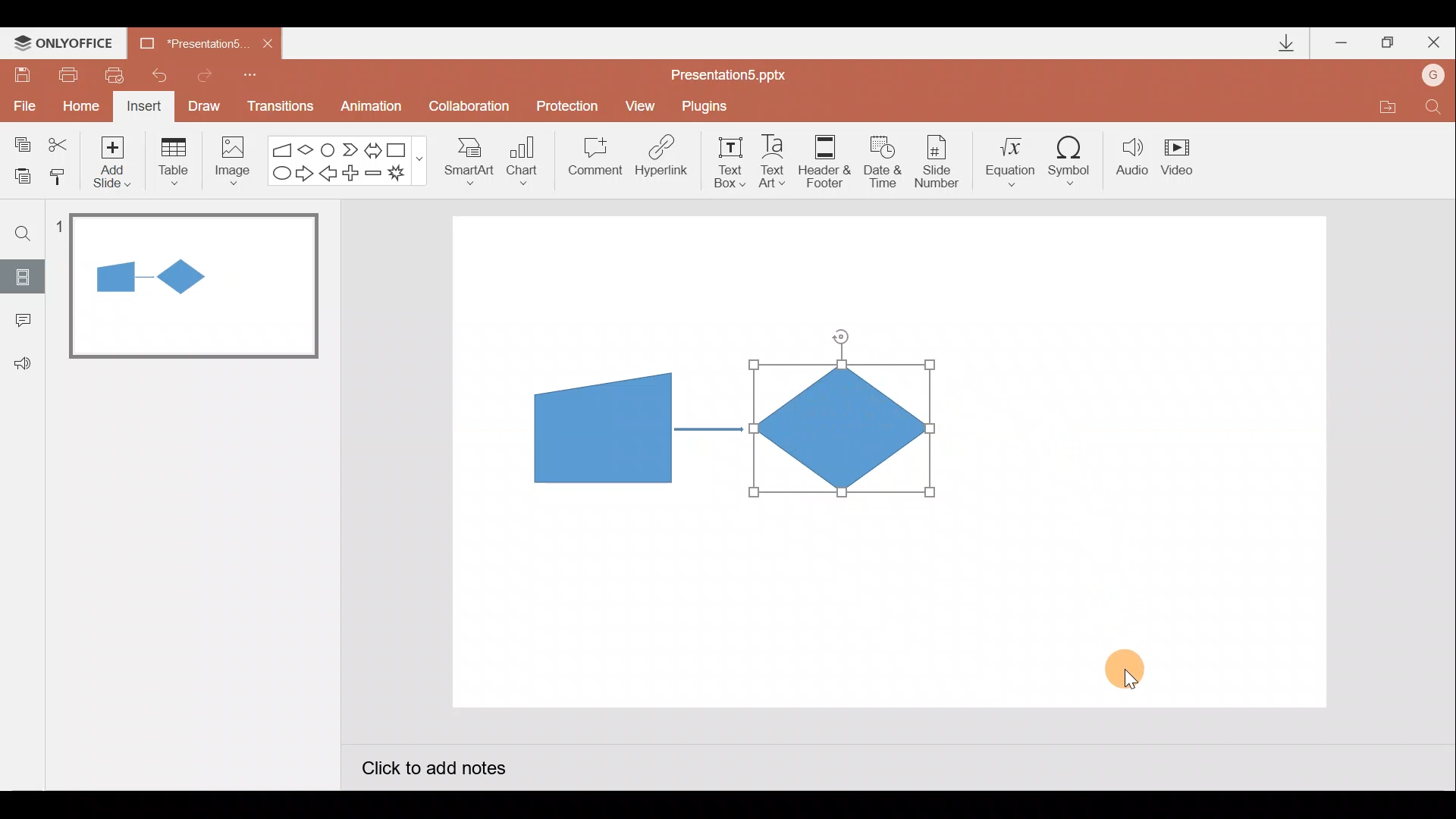  What do you see at coordinates (77, 102) in the screenshot?
I see `Home` at bounding box center [77, 102].